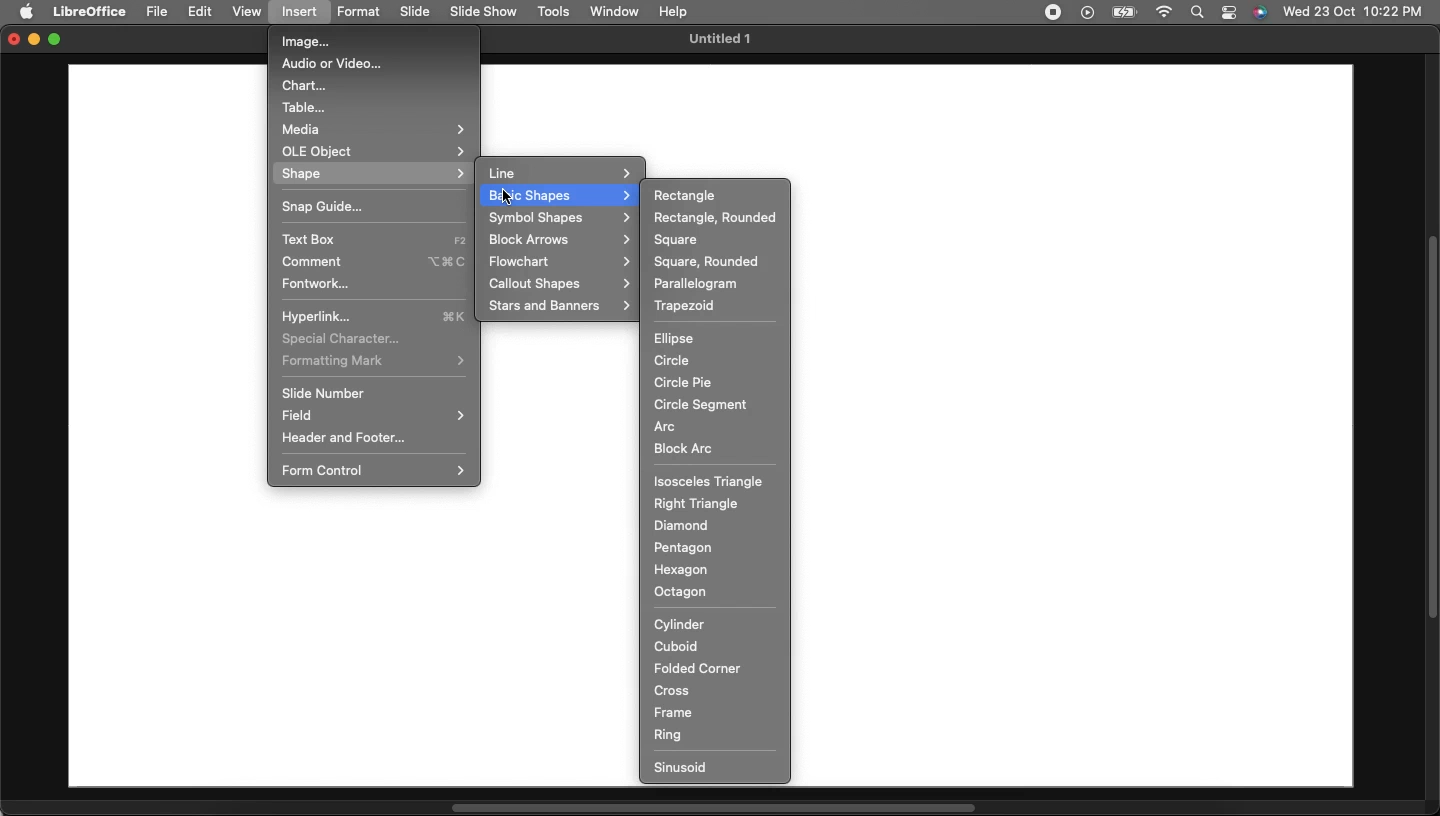 The image size is (1440, 816). What do you see at coordinates (704, 405) in the screenshot?
I see `Circle segment` at bounding box center [704, 405].